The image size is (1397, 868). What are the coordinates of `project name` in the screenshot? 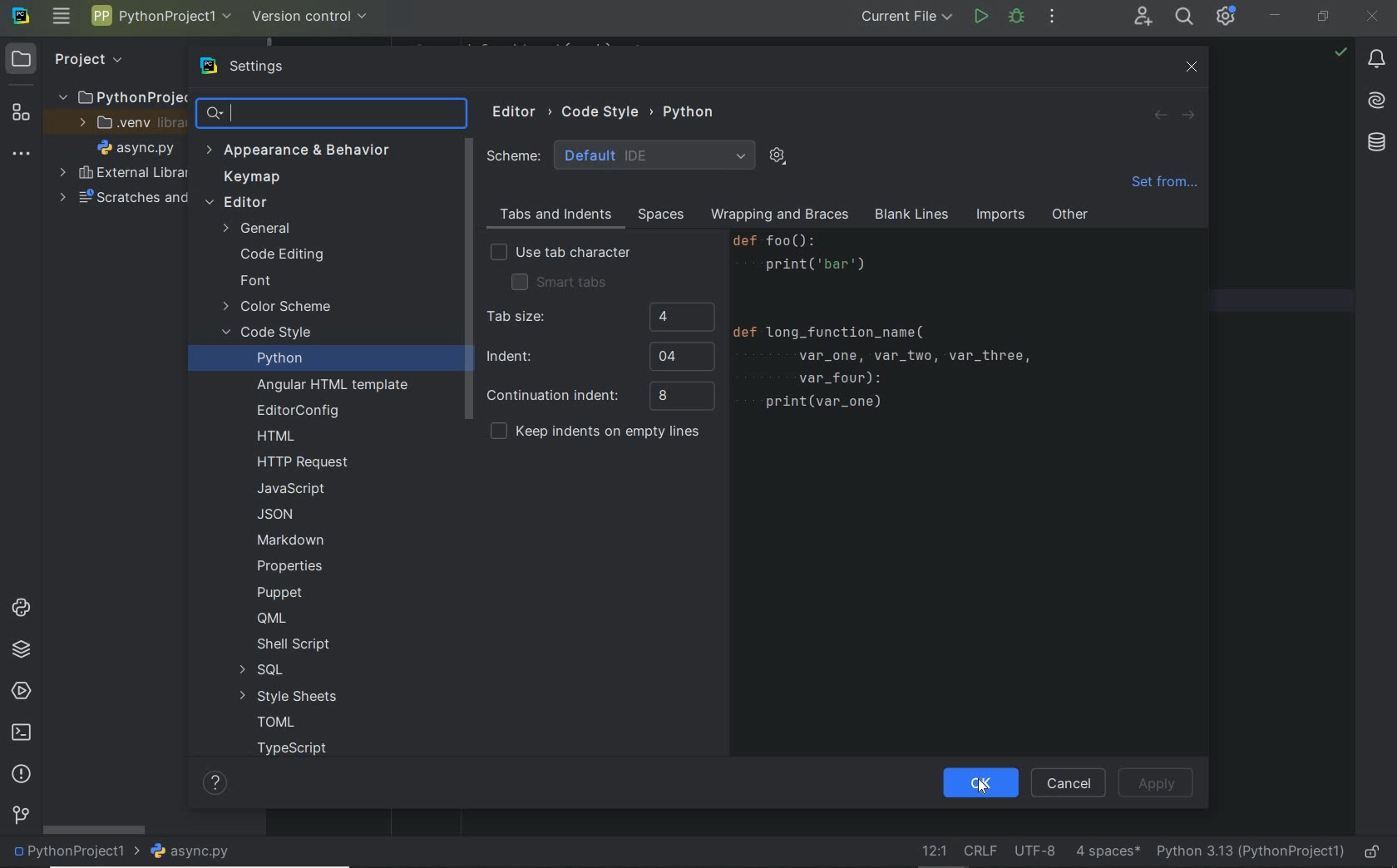 It's located at (75, 853).